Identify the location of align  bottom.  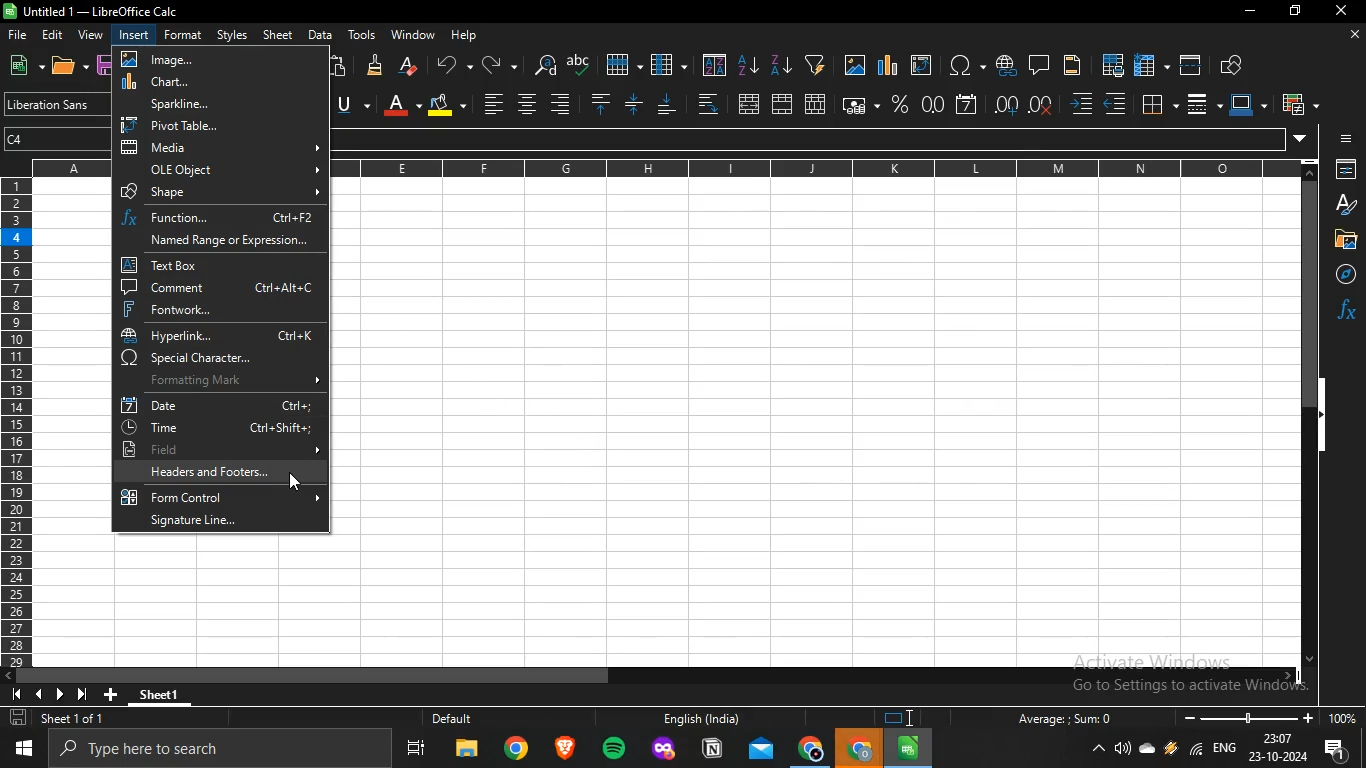
(669, 105).